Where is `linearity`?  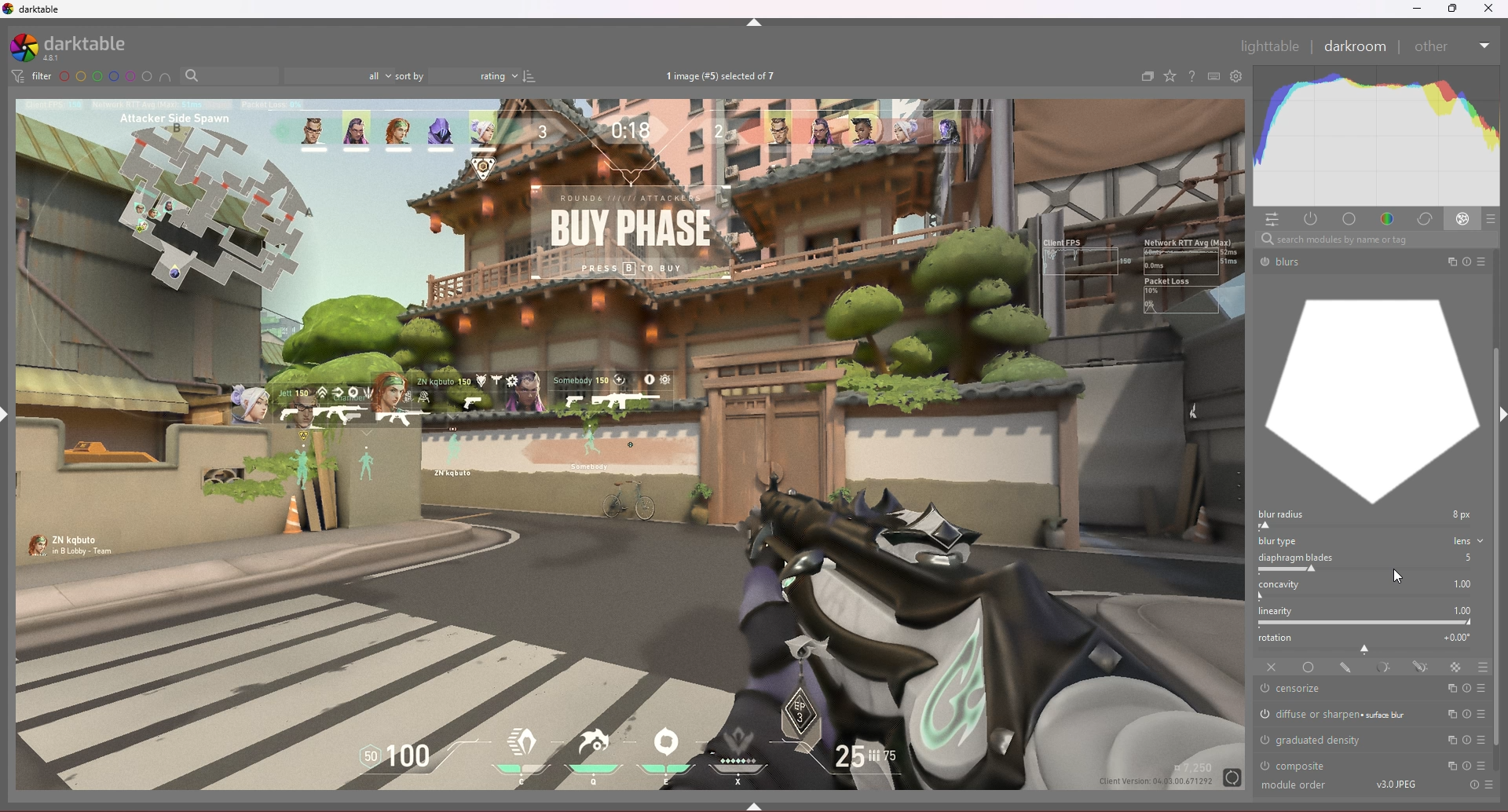 linearity is located at coordinates (1371, 616).